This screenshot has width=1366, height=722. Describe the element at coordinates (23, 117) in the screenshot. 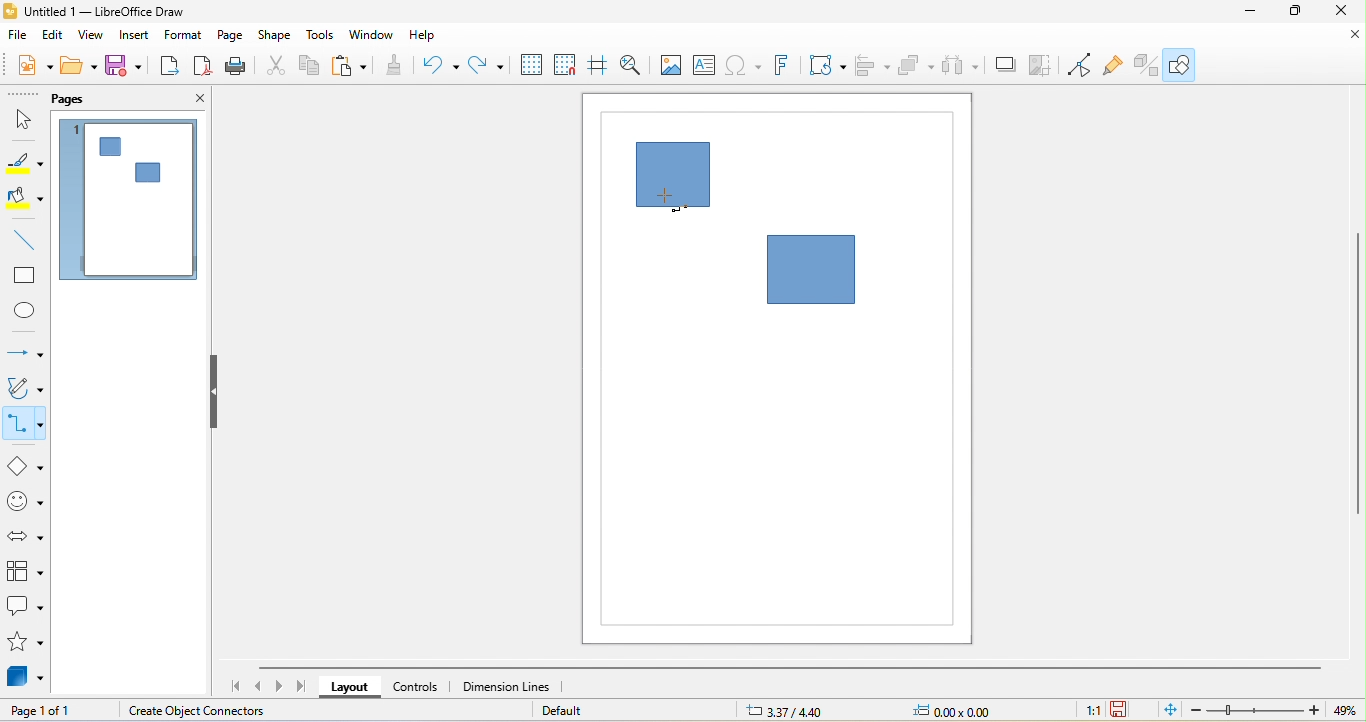

I see `select` at that location.